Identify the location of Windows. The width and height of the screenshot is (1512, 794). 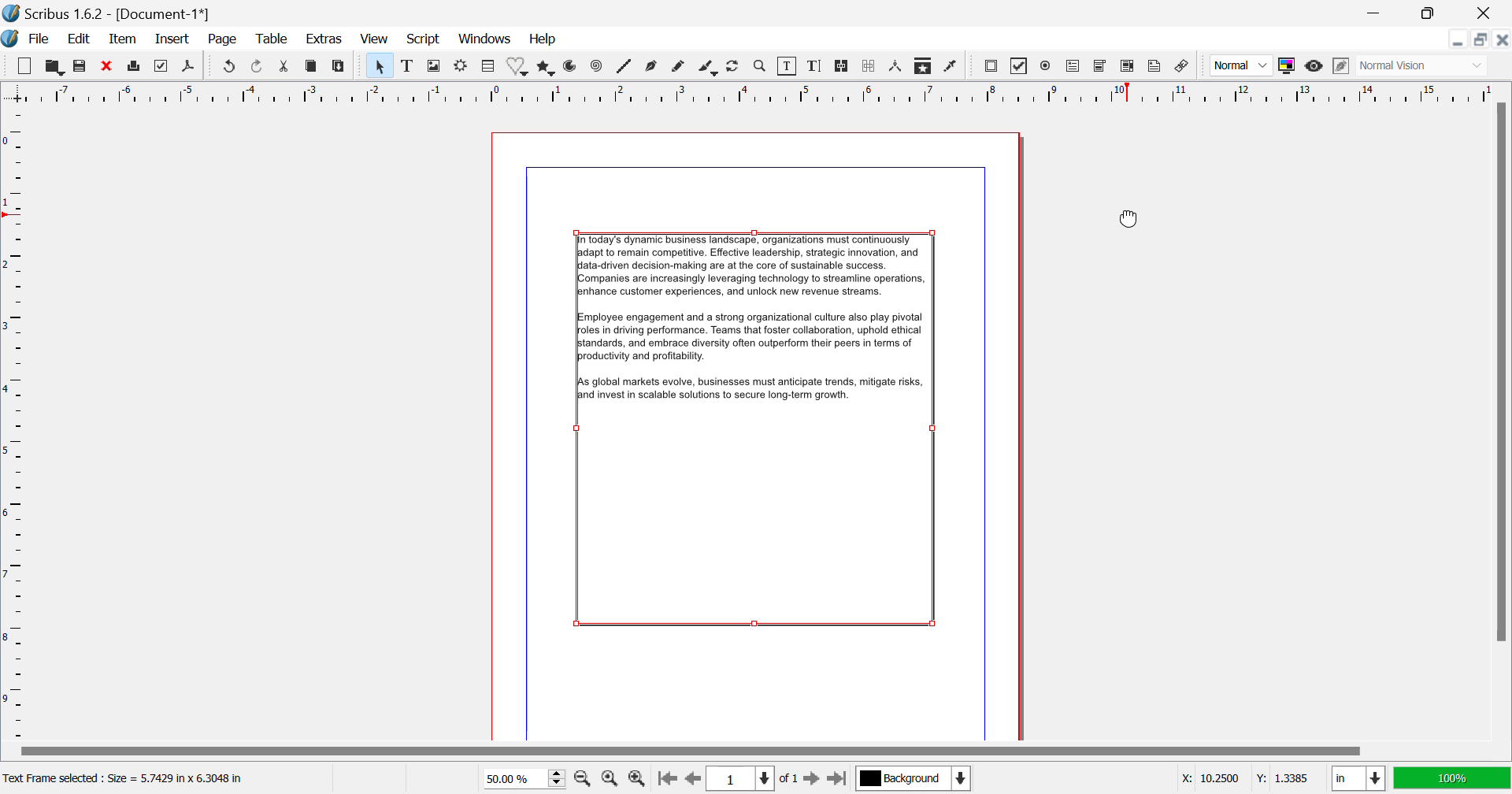
(485, 39).